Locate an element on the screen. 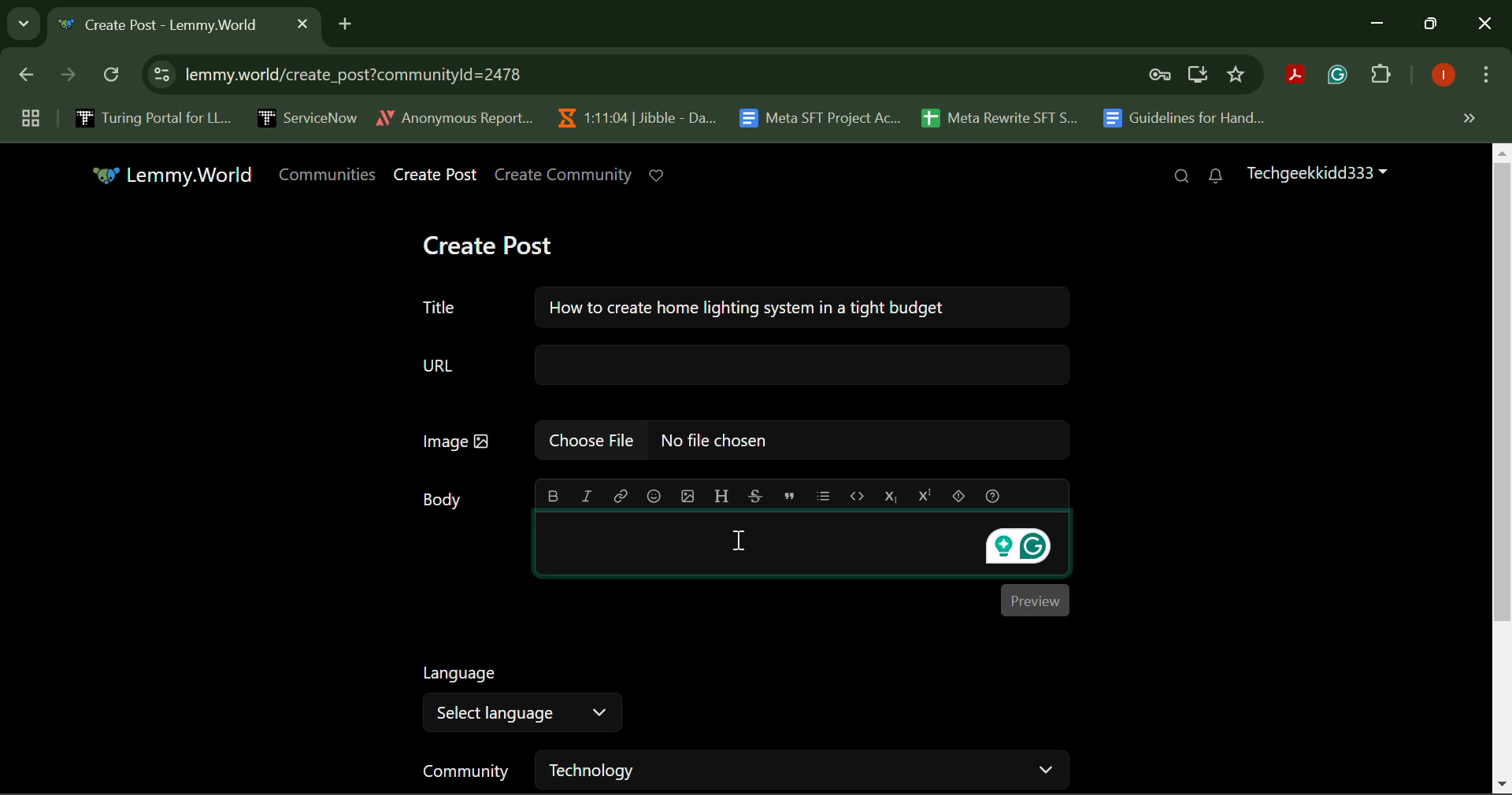 This screenshot has width=1512, height=795. Meta Rewrite SFT is located at coordinates (1006, 116).